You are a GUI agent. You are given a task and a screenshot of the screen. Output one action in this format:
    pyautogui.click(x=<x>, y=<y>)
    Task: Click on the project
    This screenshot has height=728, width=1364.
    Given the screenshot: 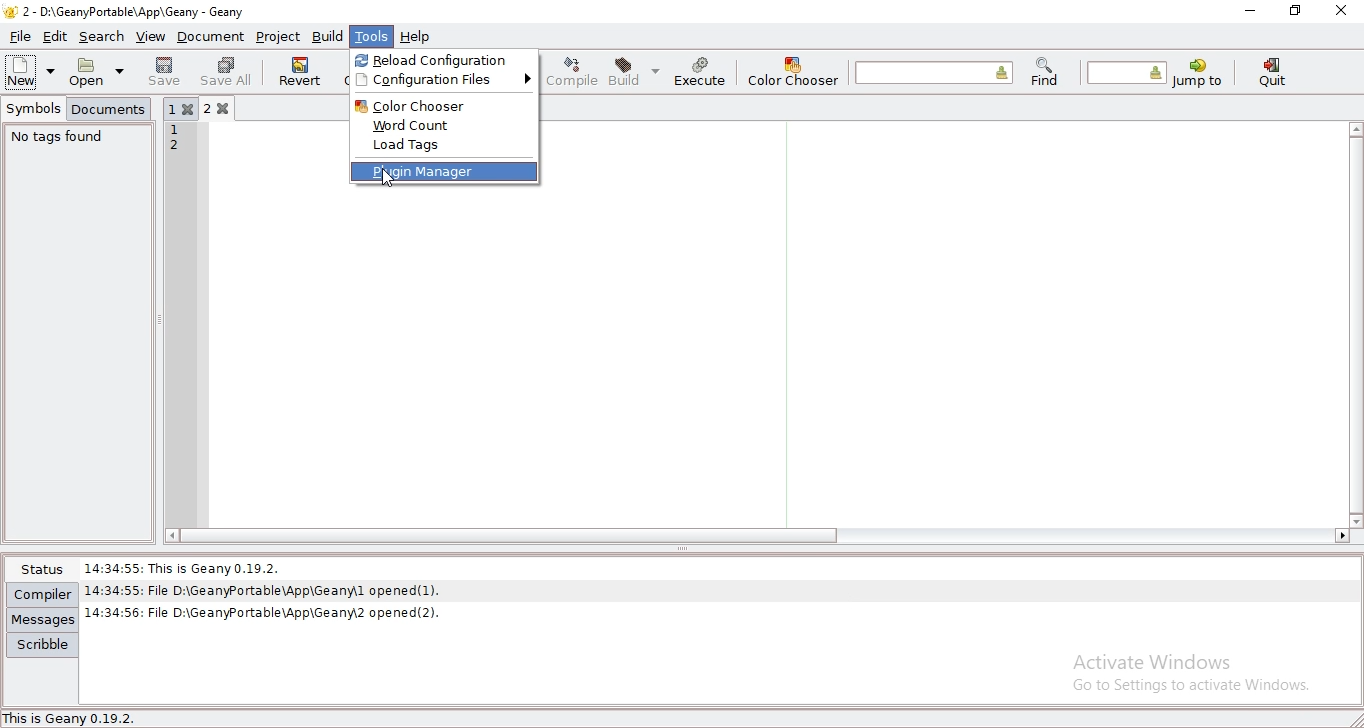 What is the action you would take?
    pyautogui.click(x=278, y=37)
    